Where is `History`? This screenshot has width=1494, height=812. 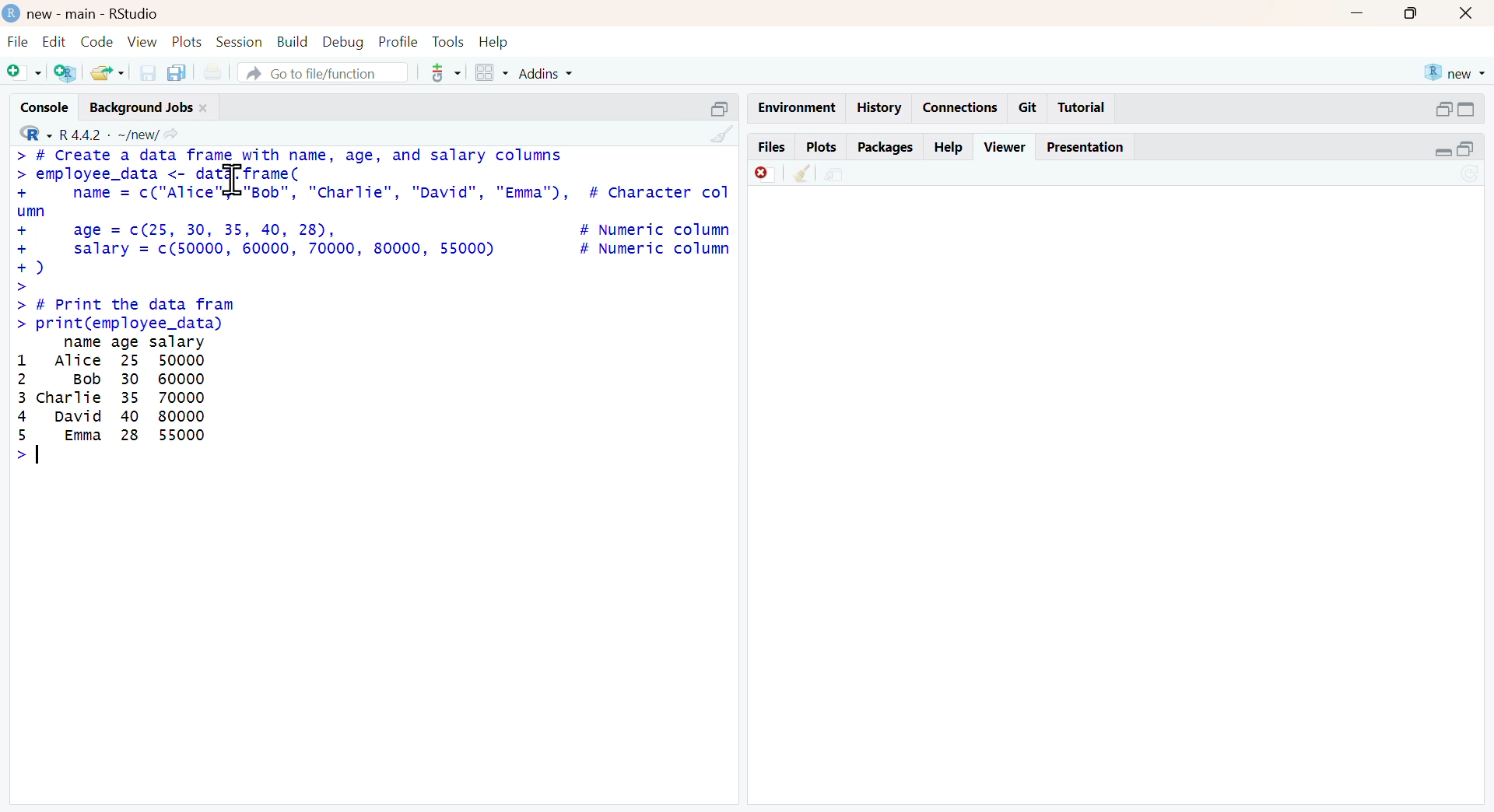
History is located at coordinates (882, 109).